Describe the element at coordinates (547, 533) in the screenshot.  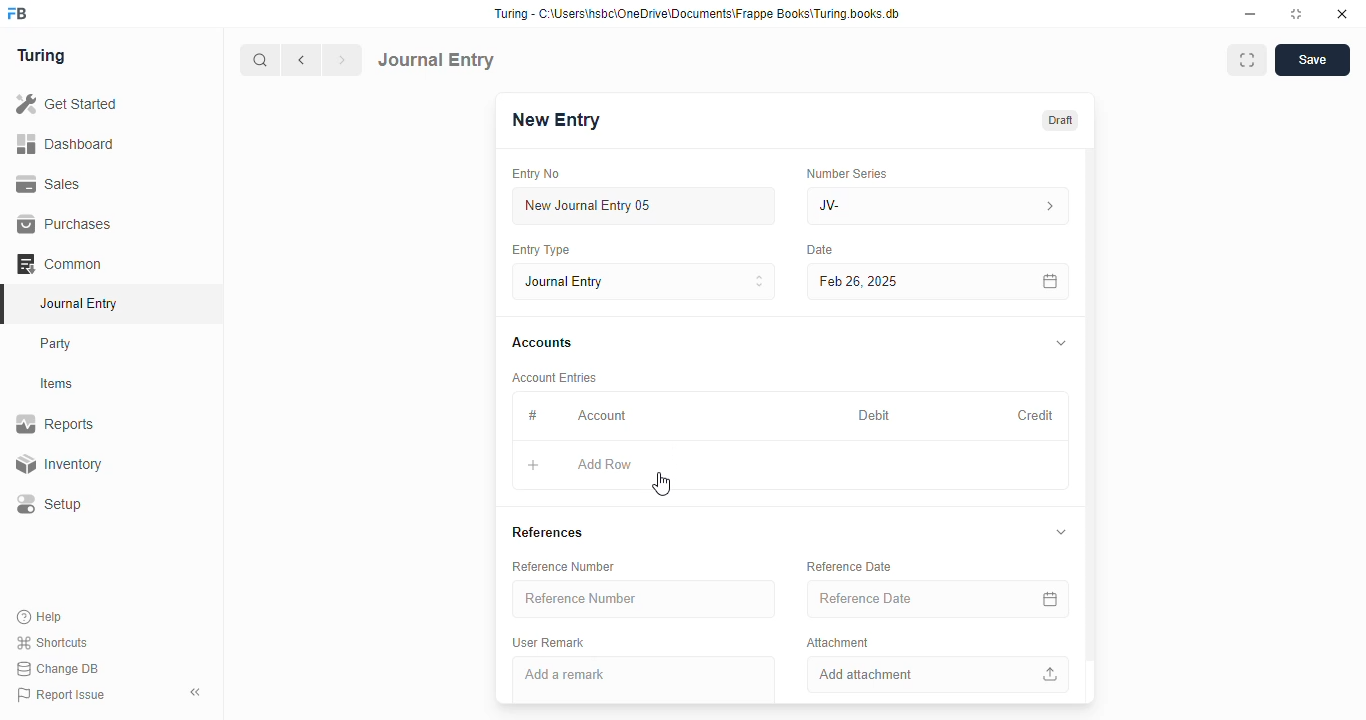
I see `references` at that location.